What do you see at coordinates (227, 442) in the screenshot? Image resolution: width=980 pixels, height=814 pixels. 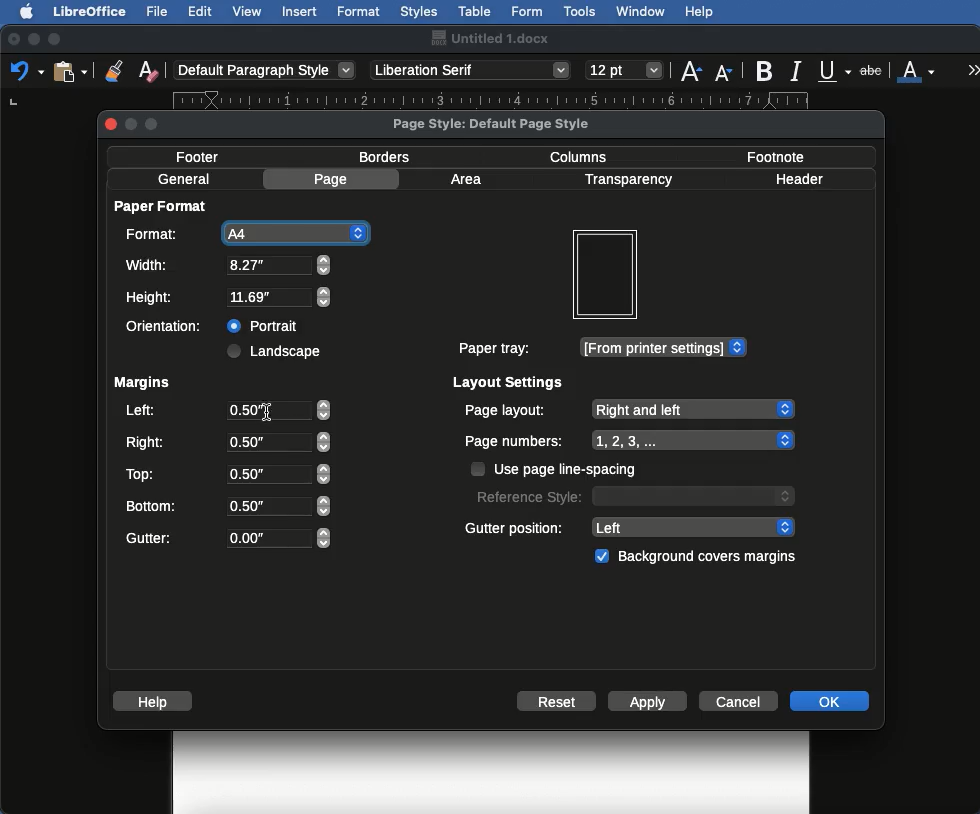 I see `Right` at bounding box center [227, 442].